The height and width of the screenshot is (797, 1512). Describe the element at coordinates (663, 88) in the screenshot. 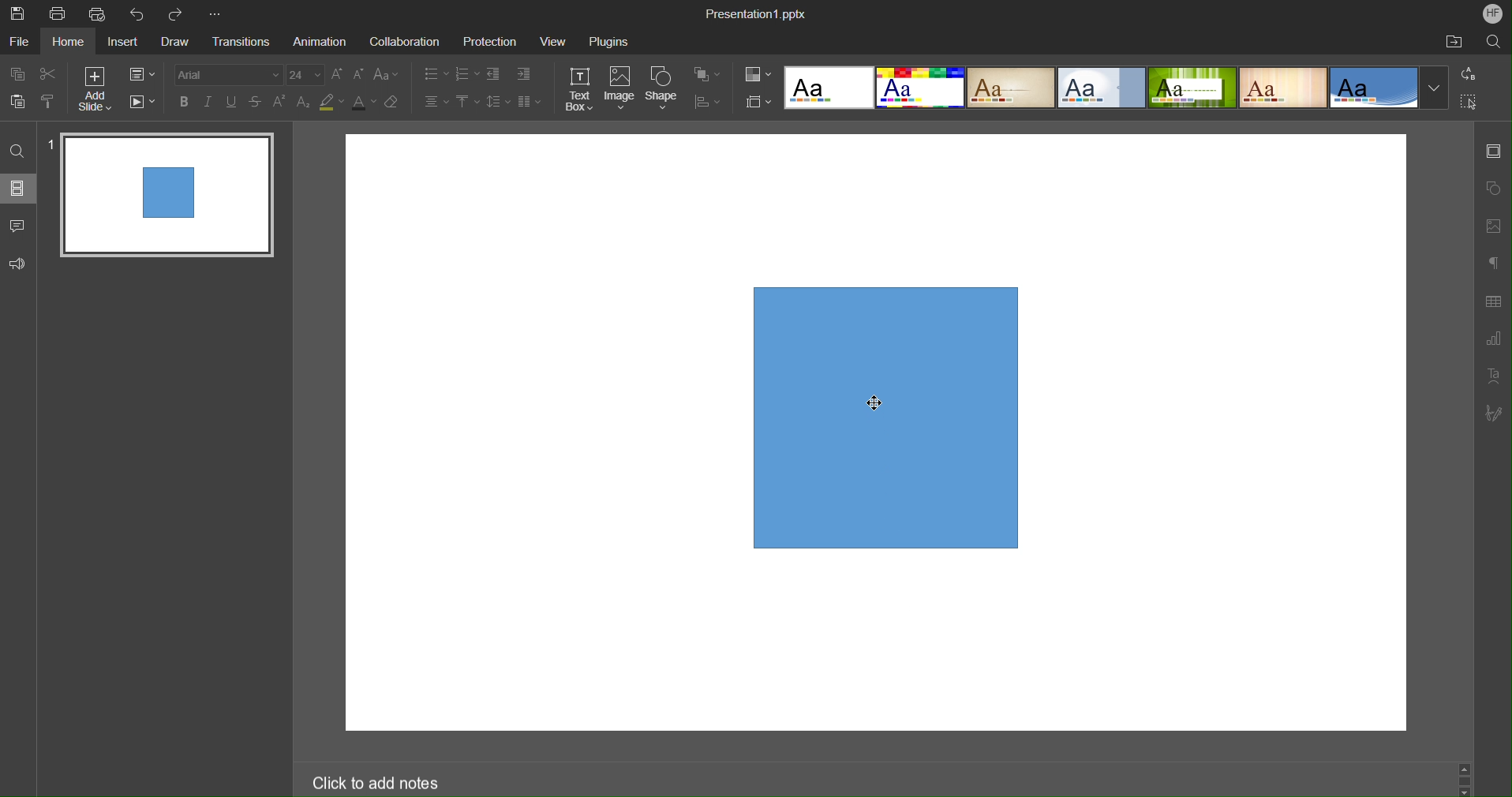

I see `Shape` at that location.